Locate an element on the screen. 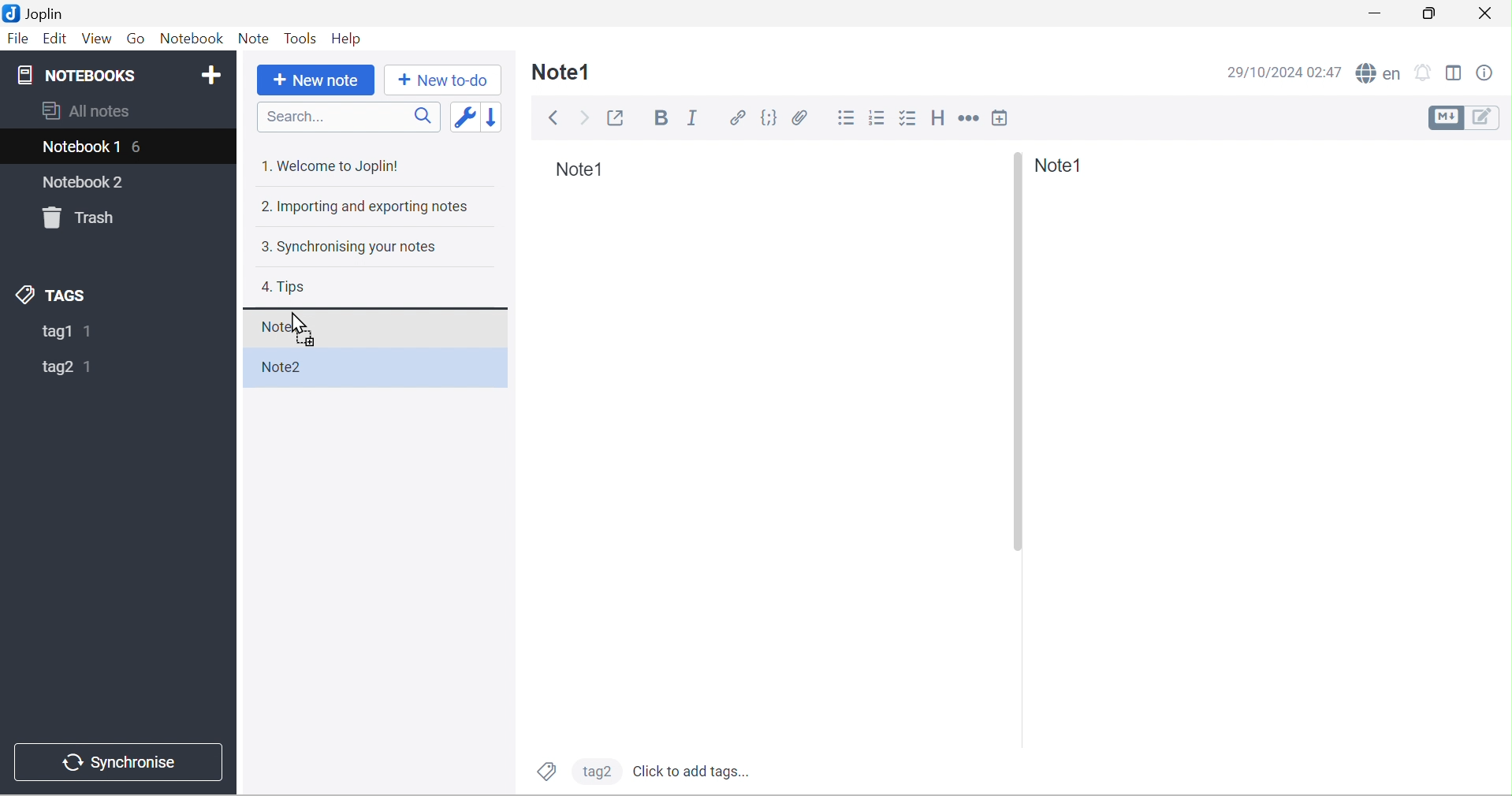 This screenshot has height=796, width=1512. File is located at coordinates (17, 39).